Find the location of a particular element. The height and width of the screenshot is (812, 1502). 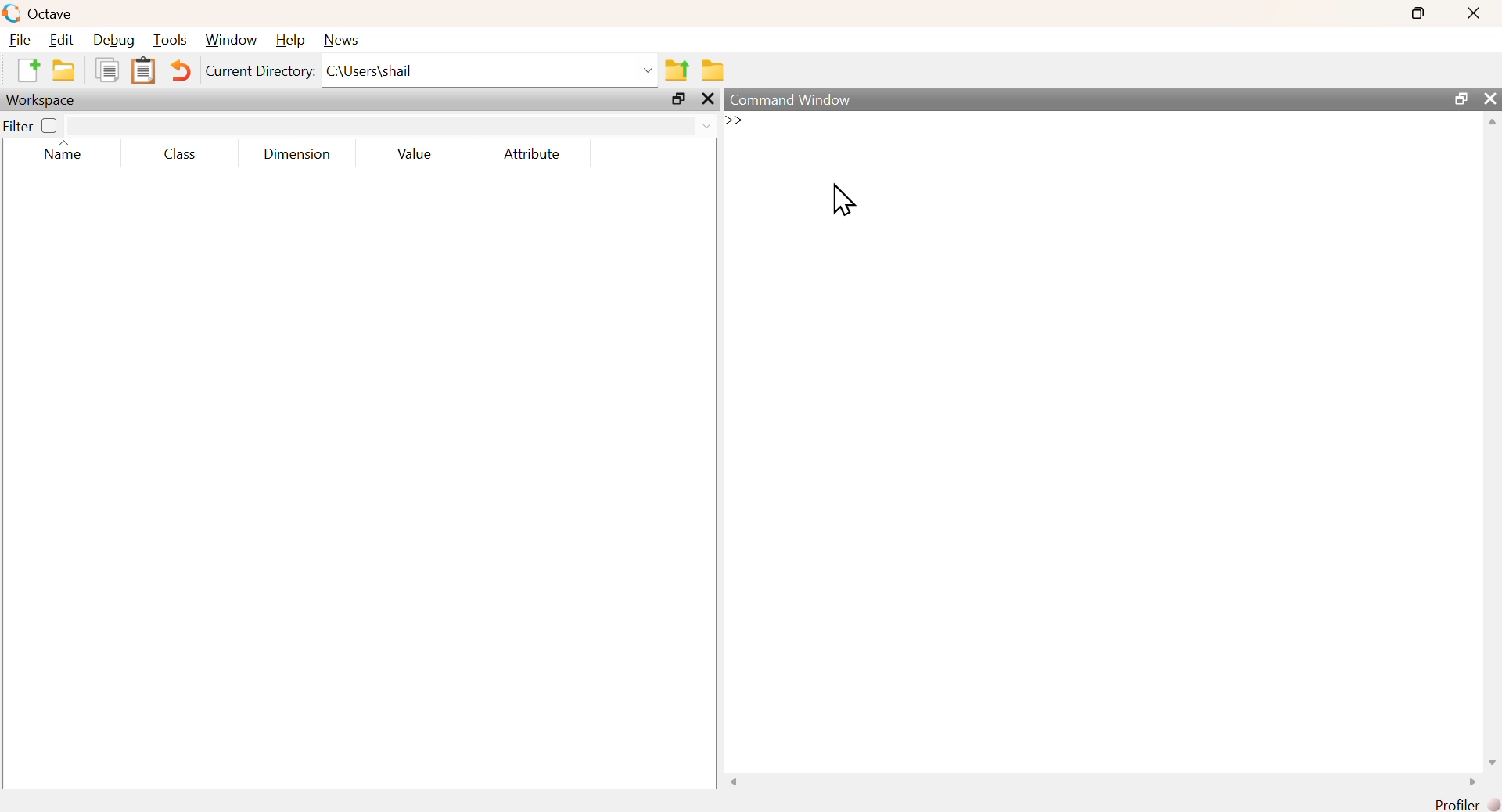

name is located at coordinates (60, 153).